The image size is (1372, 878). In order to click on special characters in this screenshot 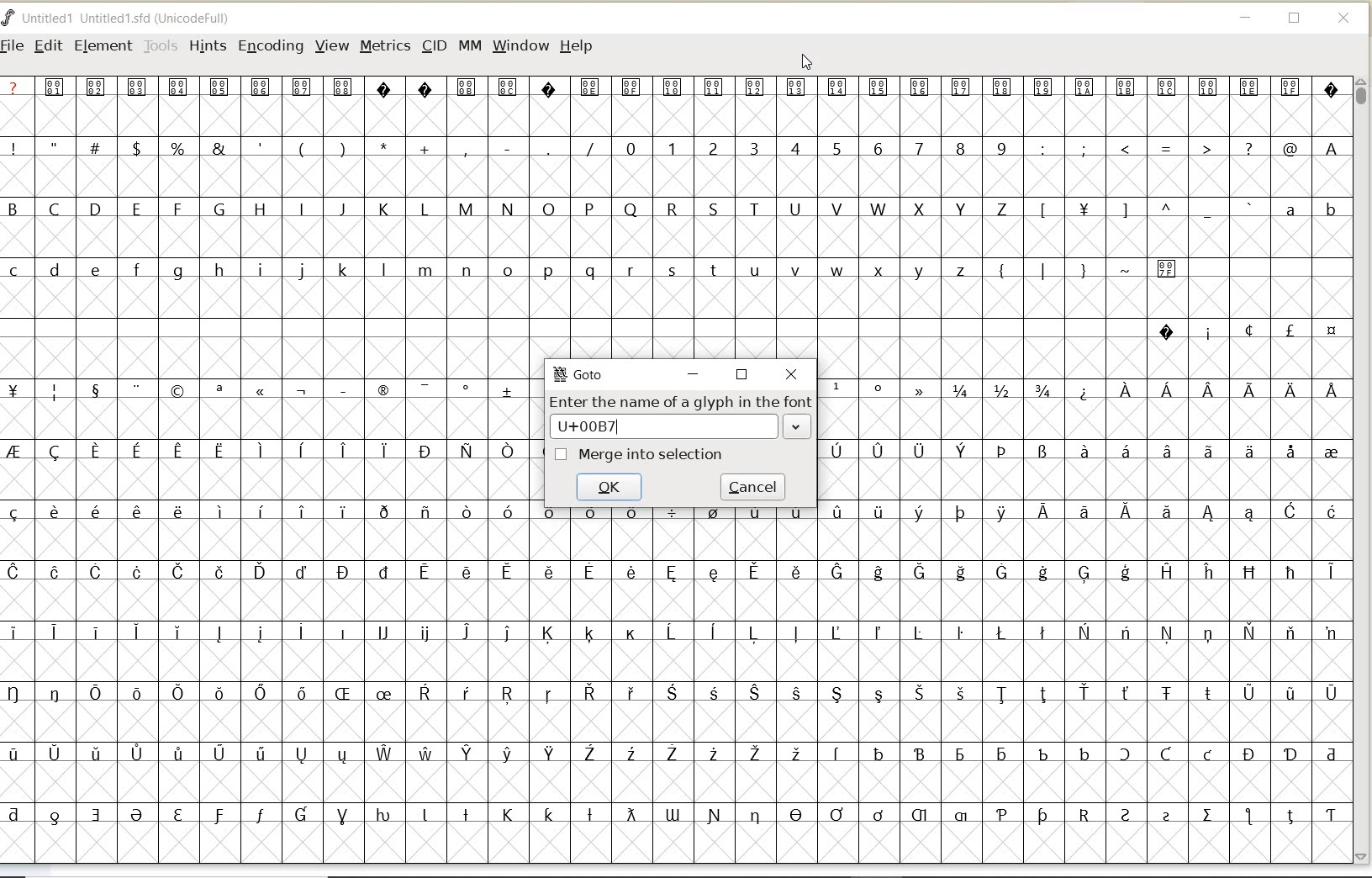, I will do `click(1108, 276)`.